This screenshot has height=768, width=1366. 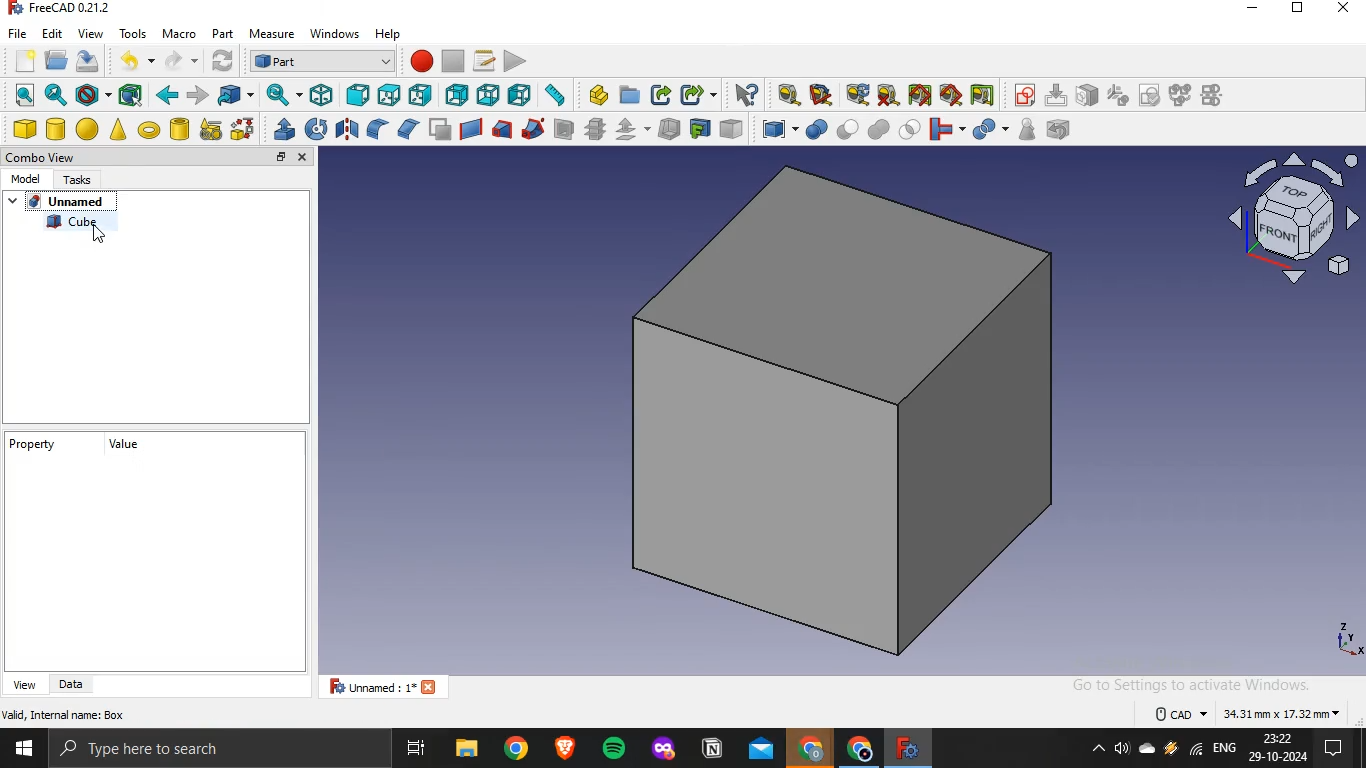 I want to click on defeaturing, so click(x=1063, y=129).